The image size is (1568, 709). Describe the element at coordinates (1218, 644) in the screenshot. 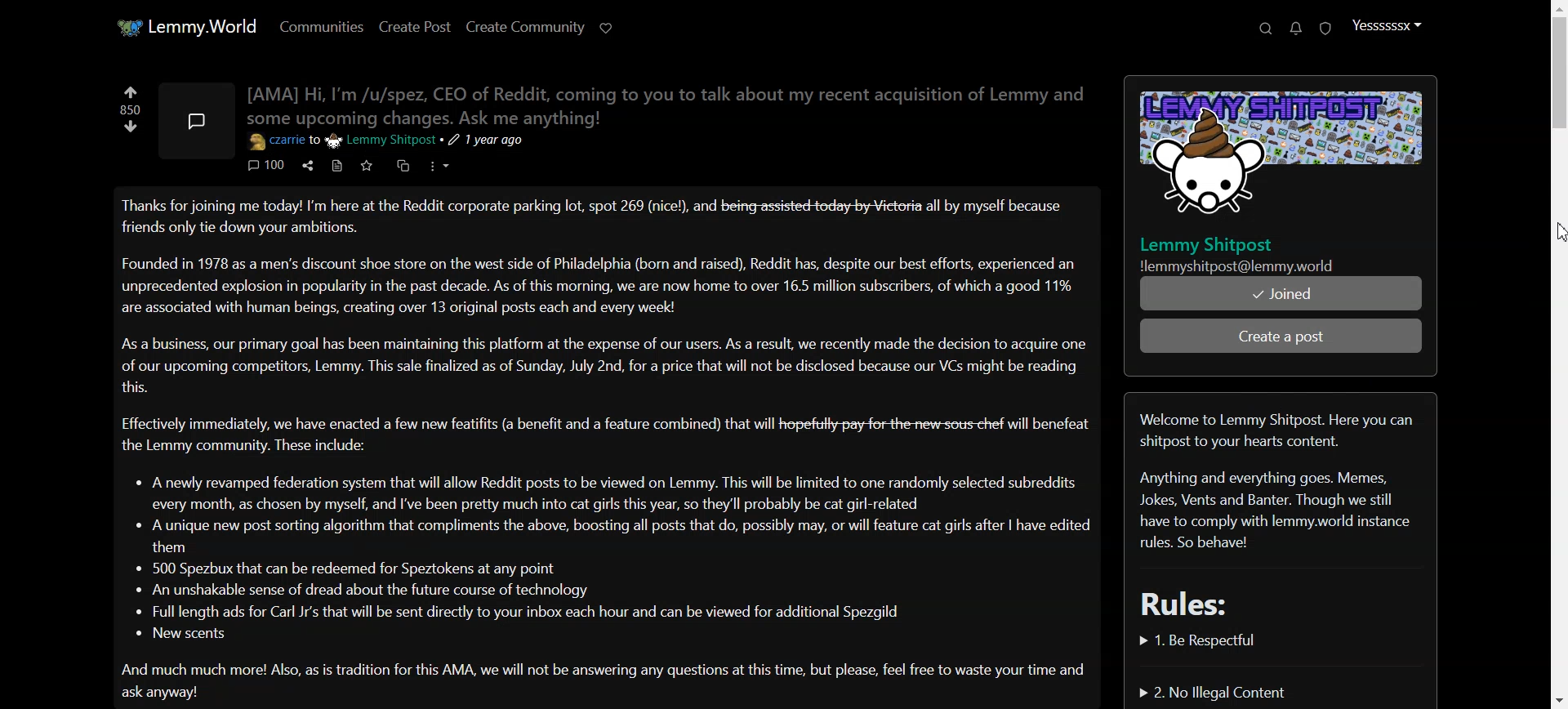

I see `Be Respectful` at that location.